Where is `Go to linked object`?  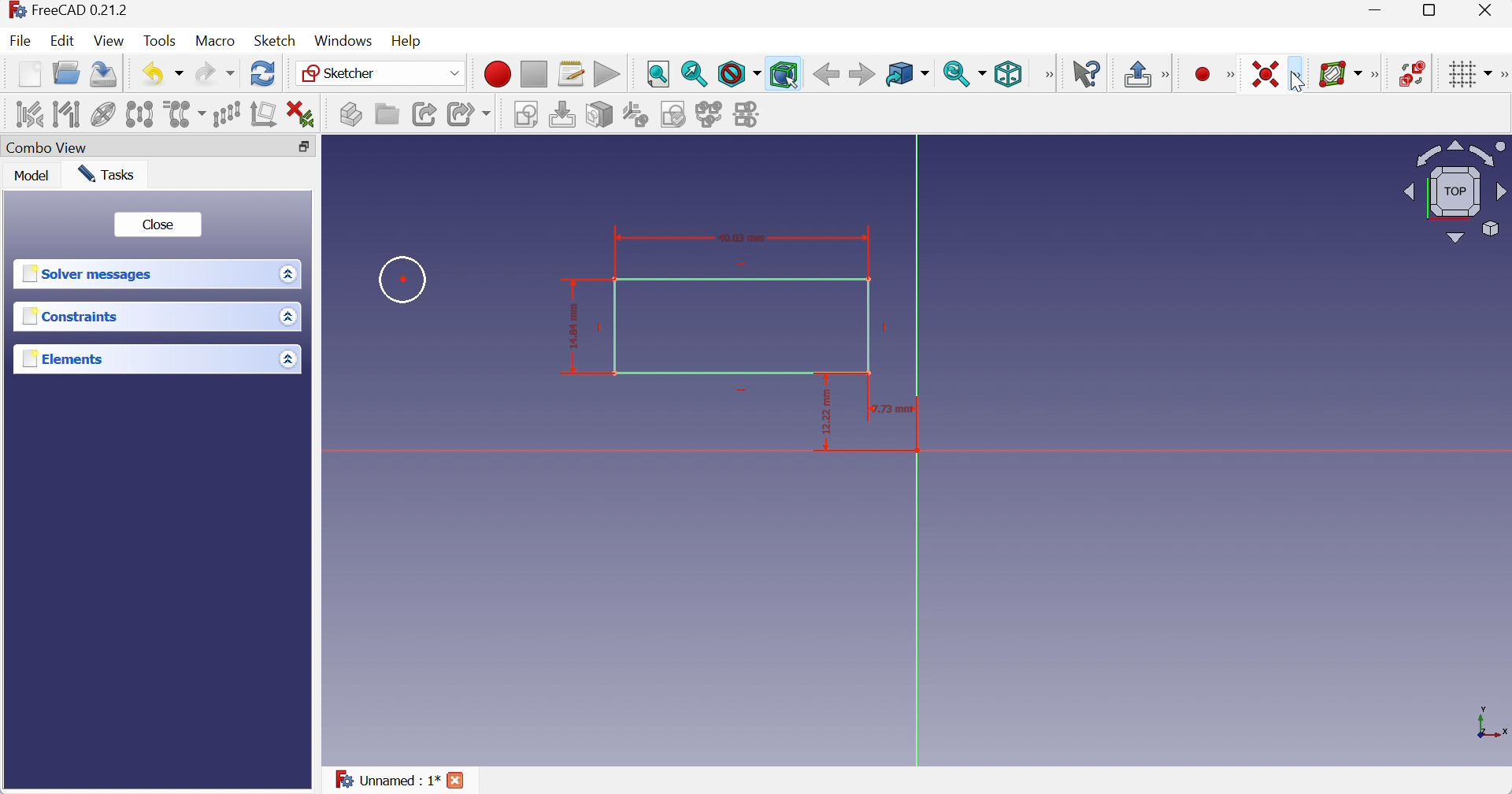 Go to linked object is located at coordinates (907, 75).